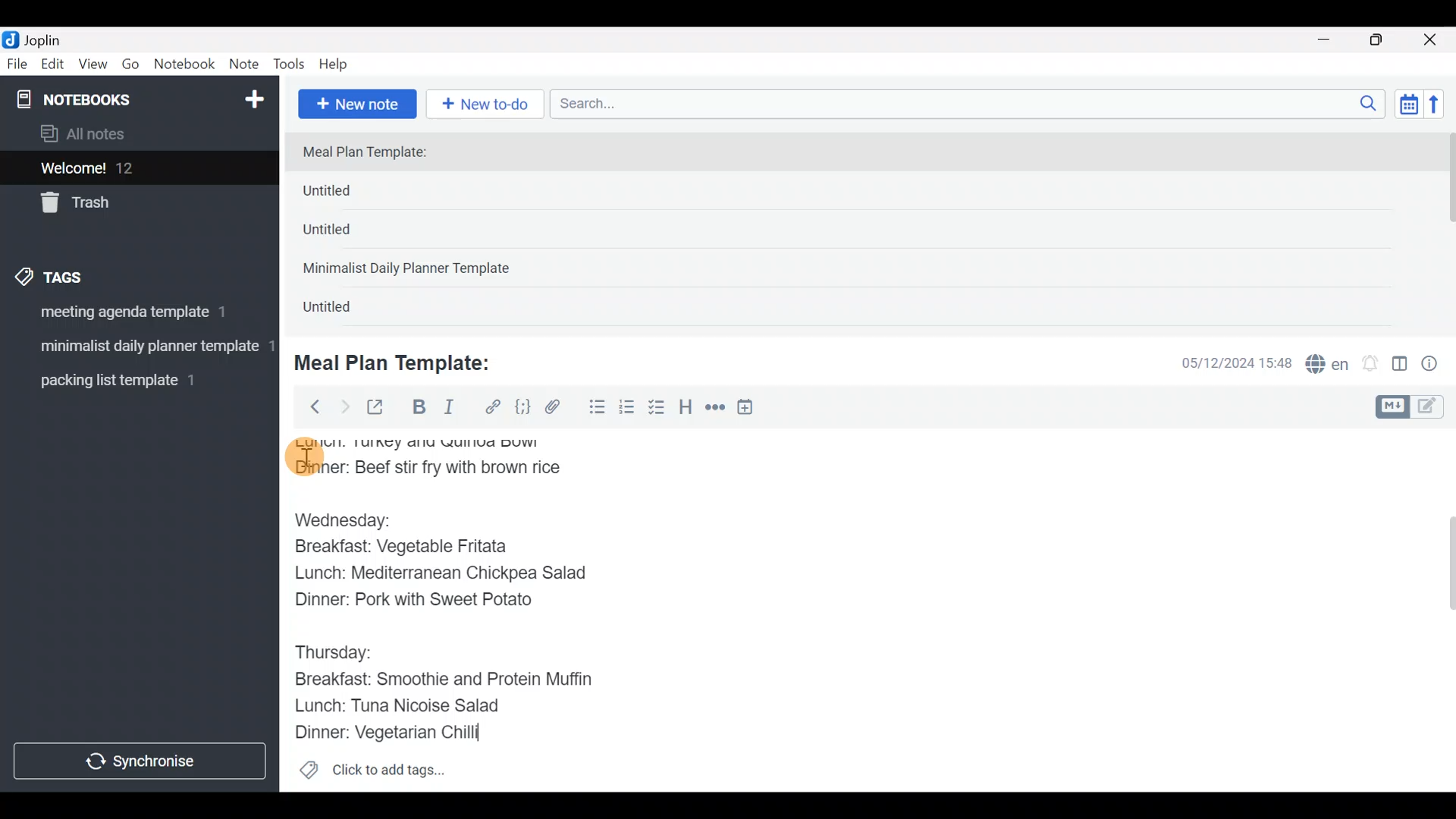 This screenshot has height=819, width=1456. Describe the element at coordinates (350, 519) in the screenshot. I see `Wednesday:` at that location.